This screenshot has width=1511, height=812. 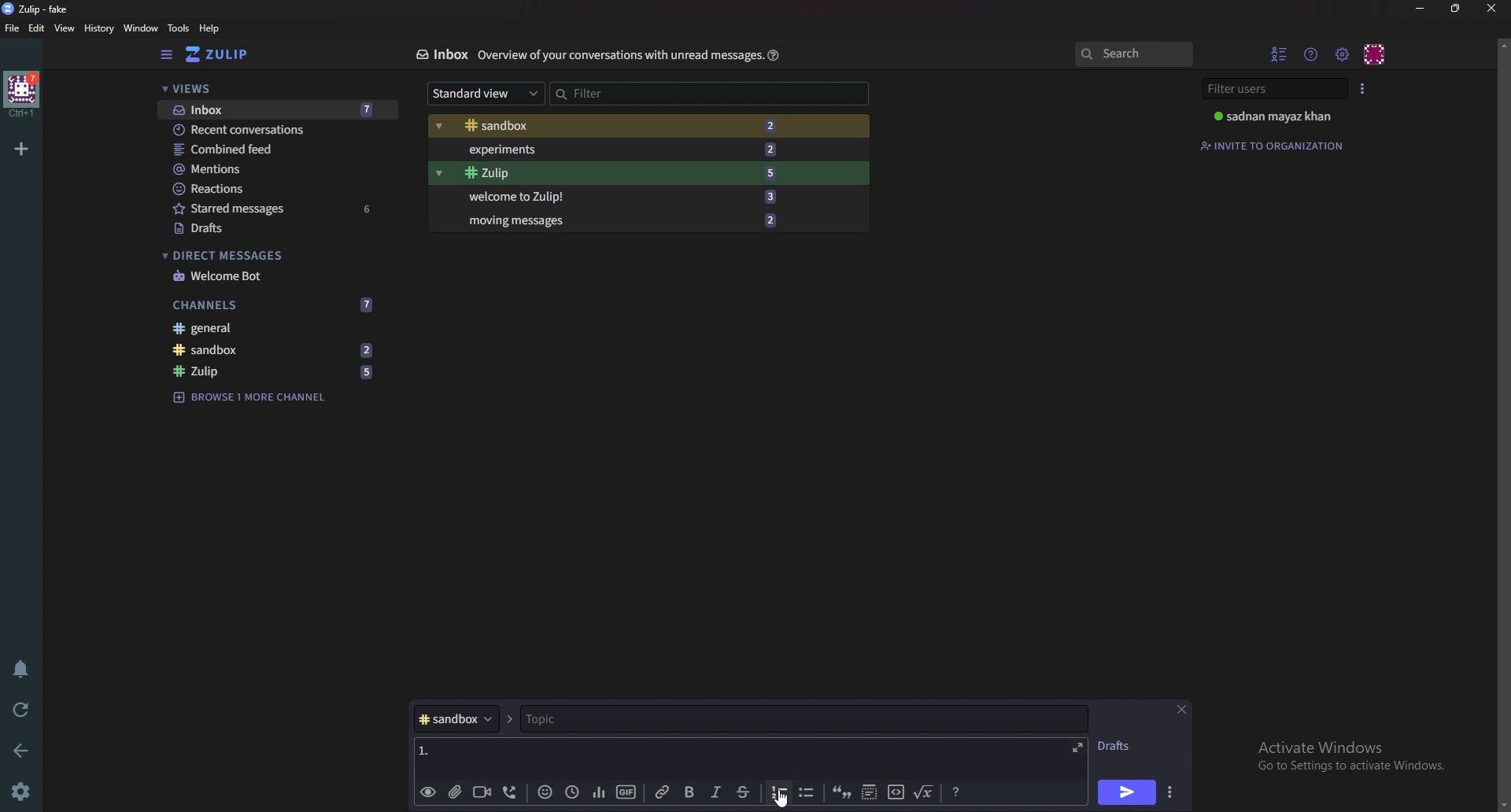 I want to click on Inbox, so click(x=441, y=54).